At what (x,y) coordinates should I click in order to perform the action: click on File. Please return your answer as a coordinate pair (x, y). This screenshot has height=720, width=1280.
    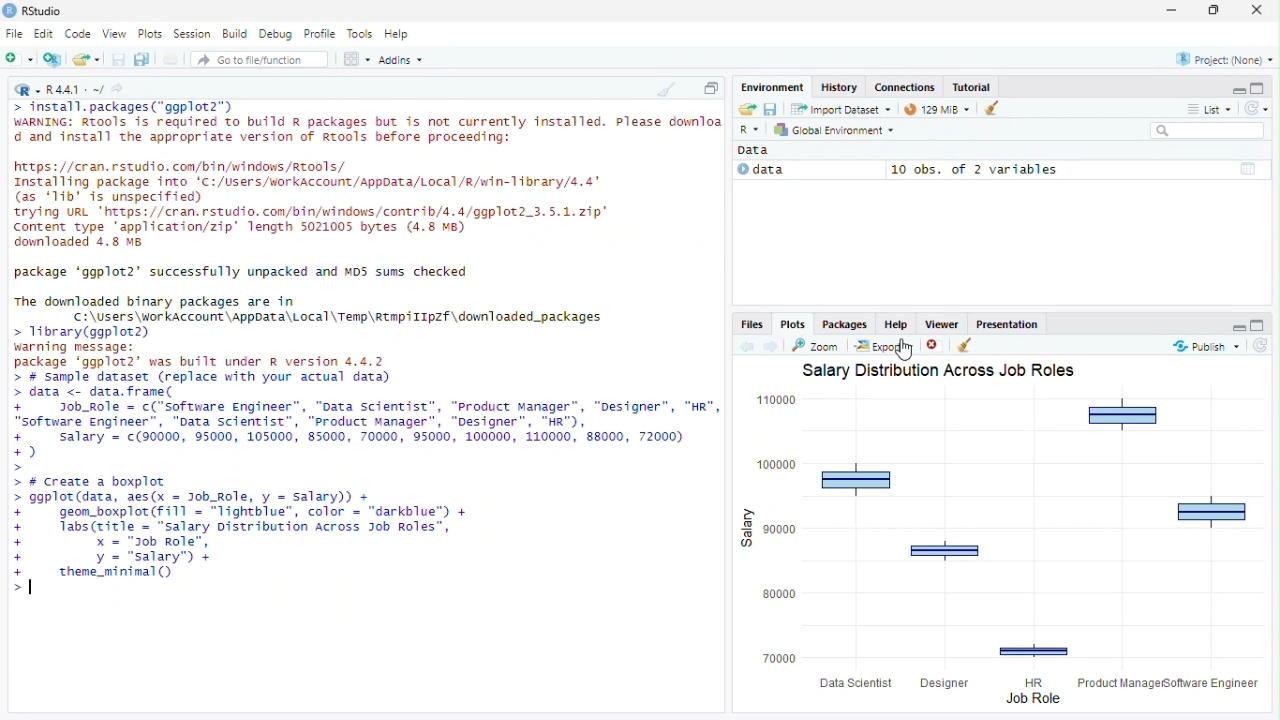
    Looking at the image, I should click on (15, 35).